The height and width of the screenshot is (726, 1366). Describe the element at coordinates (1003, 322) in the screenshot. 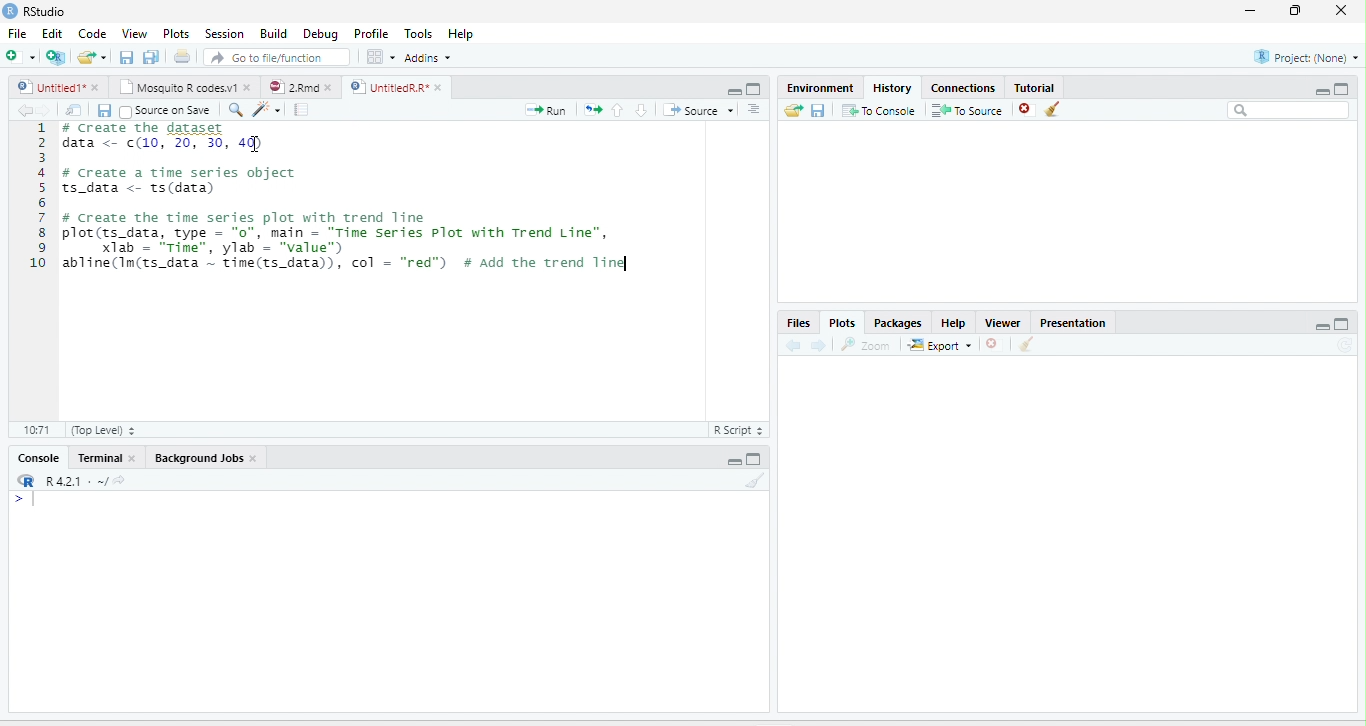

I see `Viewer` at that location.